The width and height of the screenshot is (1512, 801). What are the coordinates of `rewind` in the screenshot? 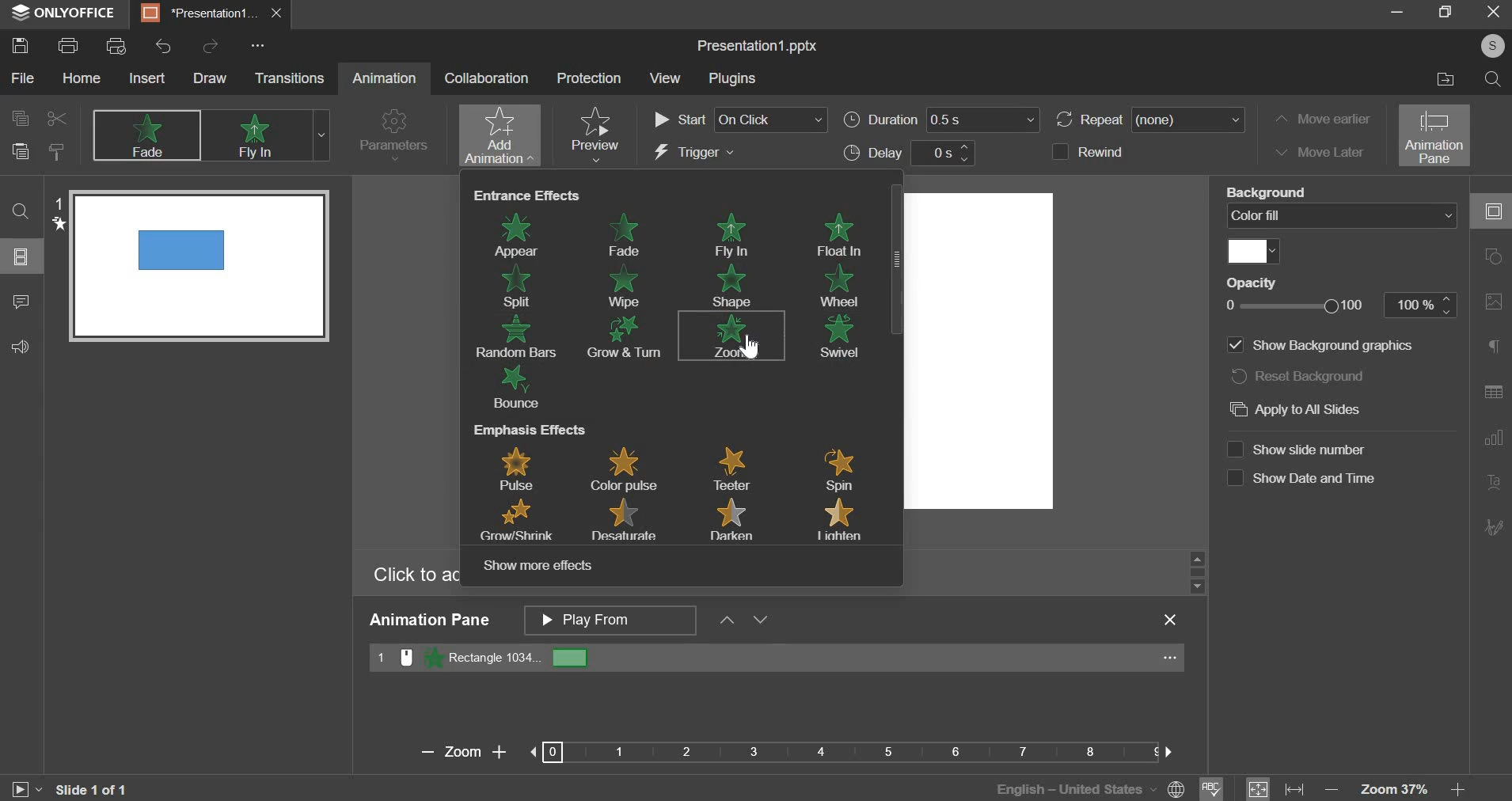 It's located at (1111, 152).